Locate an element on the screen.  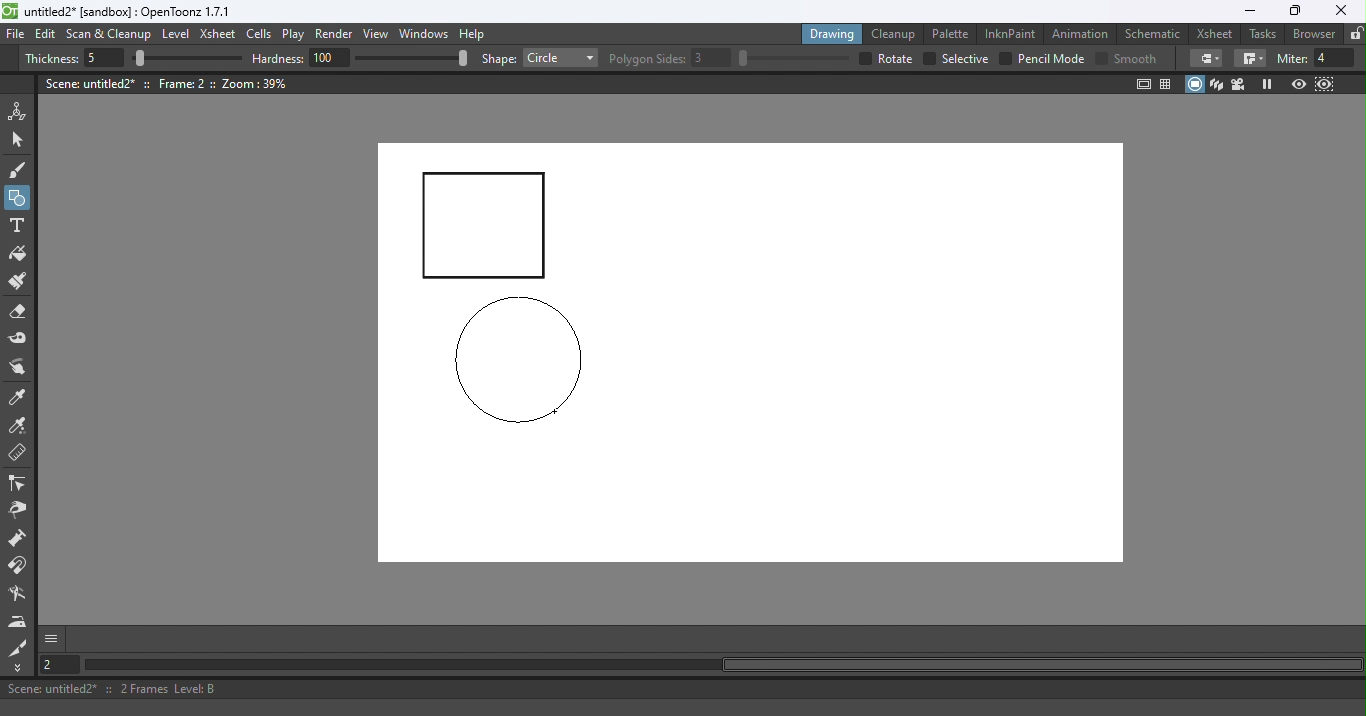
Magnet tool is located at coordinates (19, 566).